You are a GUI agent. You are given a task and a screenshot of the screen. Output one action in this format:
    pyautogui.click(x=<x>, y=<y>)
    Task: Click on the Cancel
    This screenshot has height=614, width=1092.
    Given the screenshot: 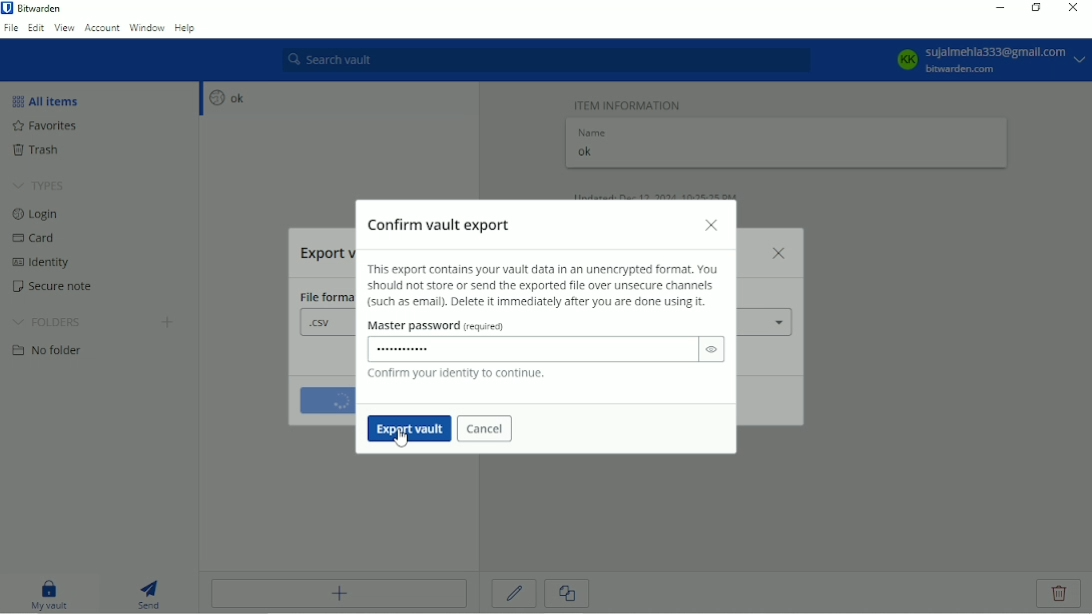 What is the action you would take?
    pyautogui.click(x=486, y=430)
    